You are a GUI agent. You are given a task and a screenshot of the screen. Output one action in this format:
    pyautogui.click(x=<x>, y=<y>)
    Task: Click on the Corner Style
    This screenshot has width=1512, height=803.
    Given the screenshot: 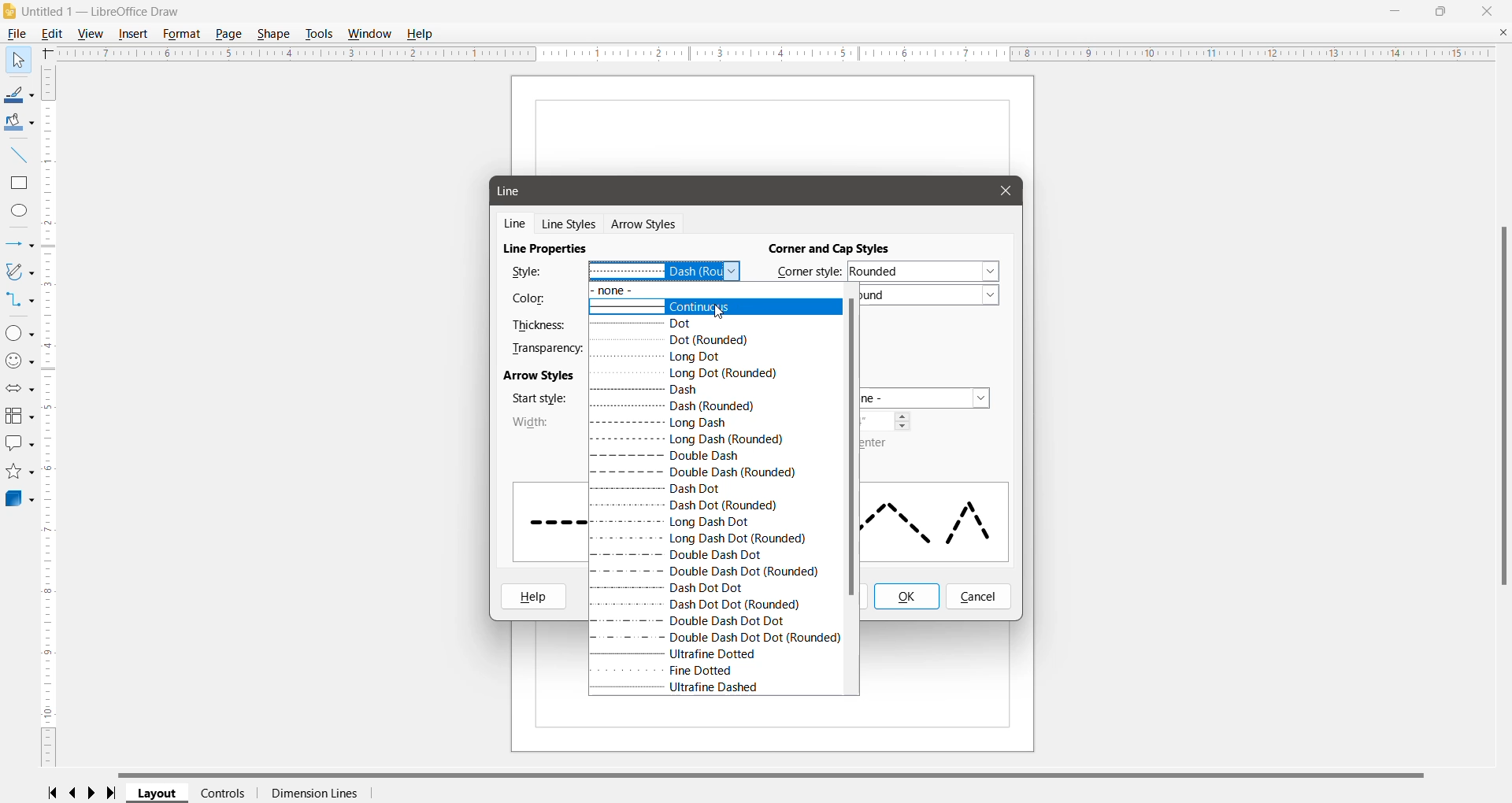 What is the action you would take?
    pyautogui.click(x=806, y=272)
    